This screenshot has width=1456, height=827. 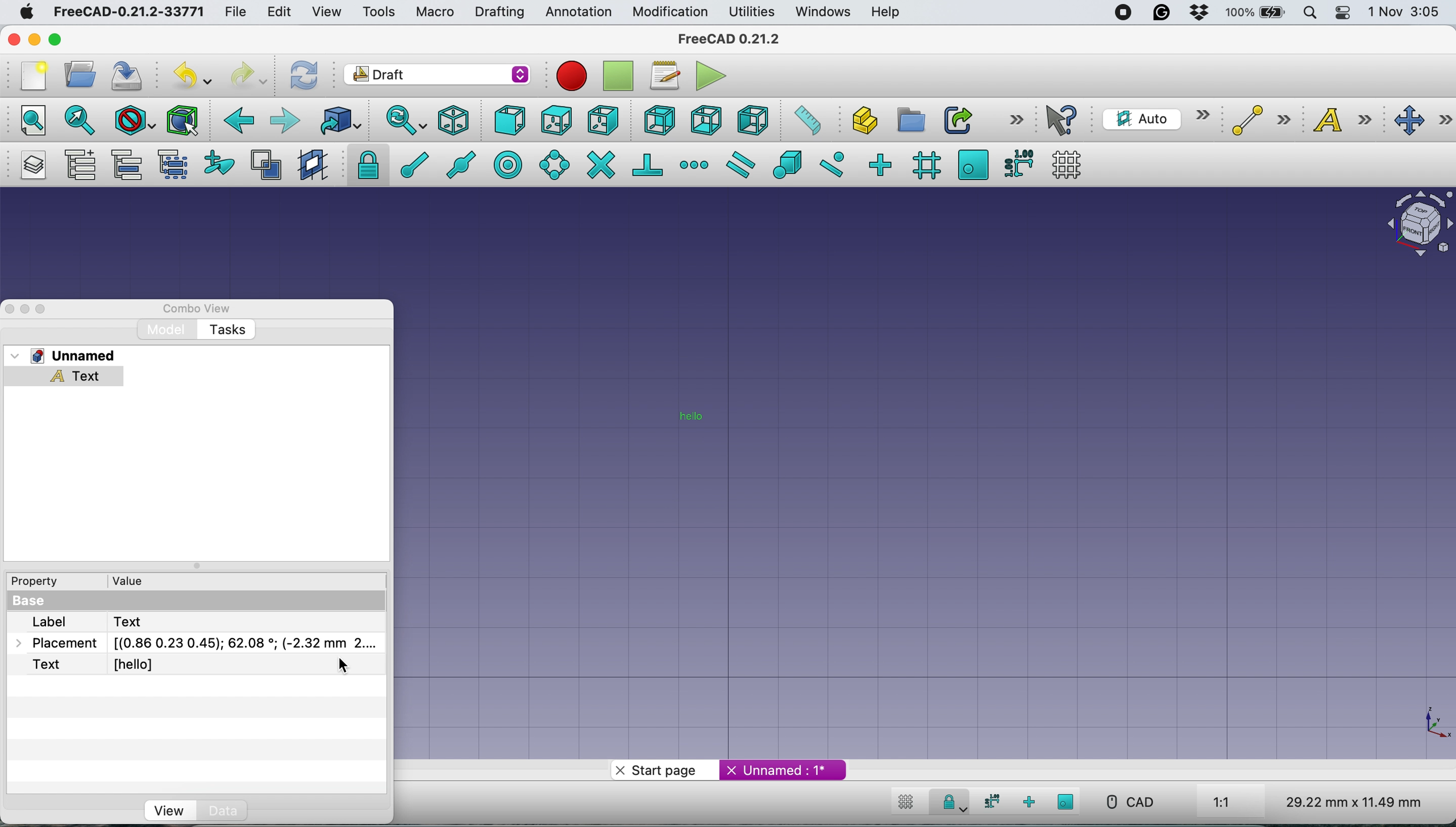 What do you see at coordinates (249, 74) in the screenshot?
I see `redo` at bounding box center [249, 74].